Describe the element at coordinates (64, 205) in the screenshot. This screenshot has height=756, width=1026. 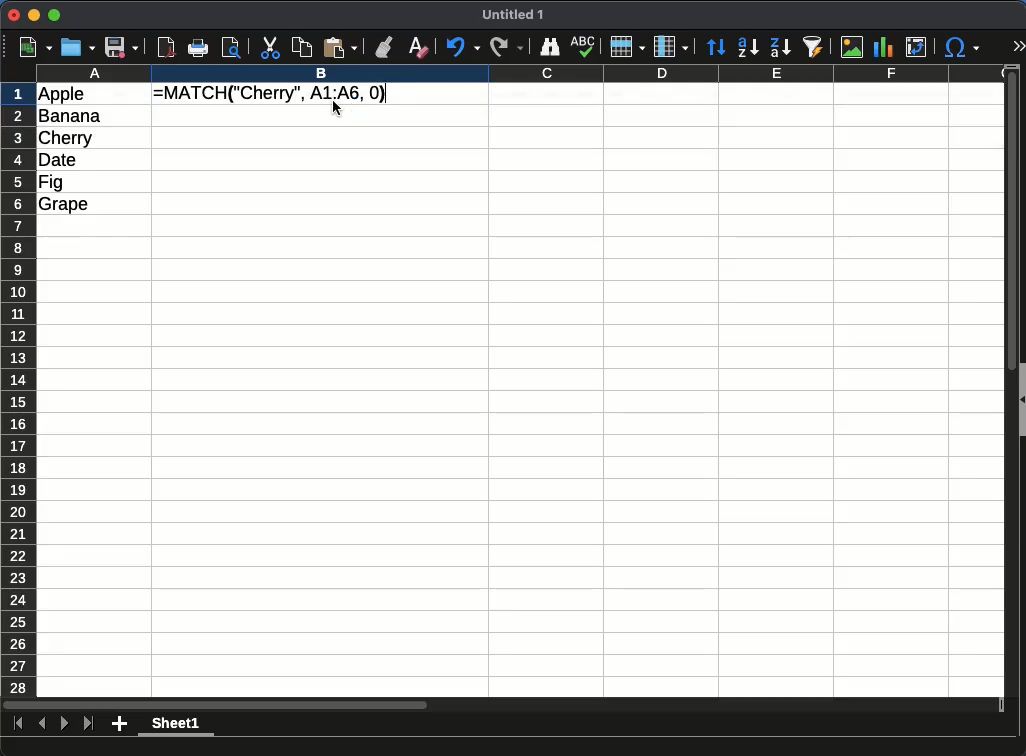
I see `grape` at that location.